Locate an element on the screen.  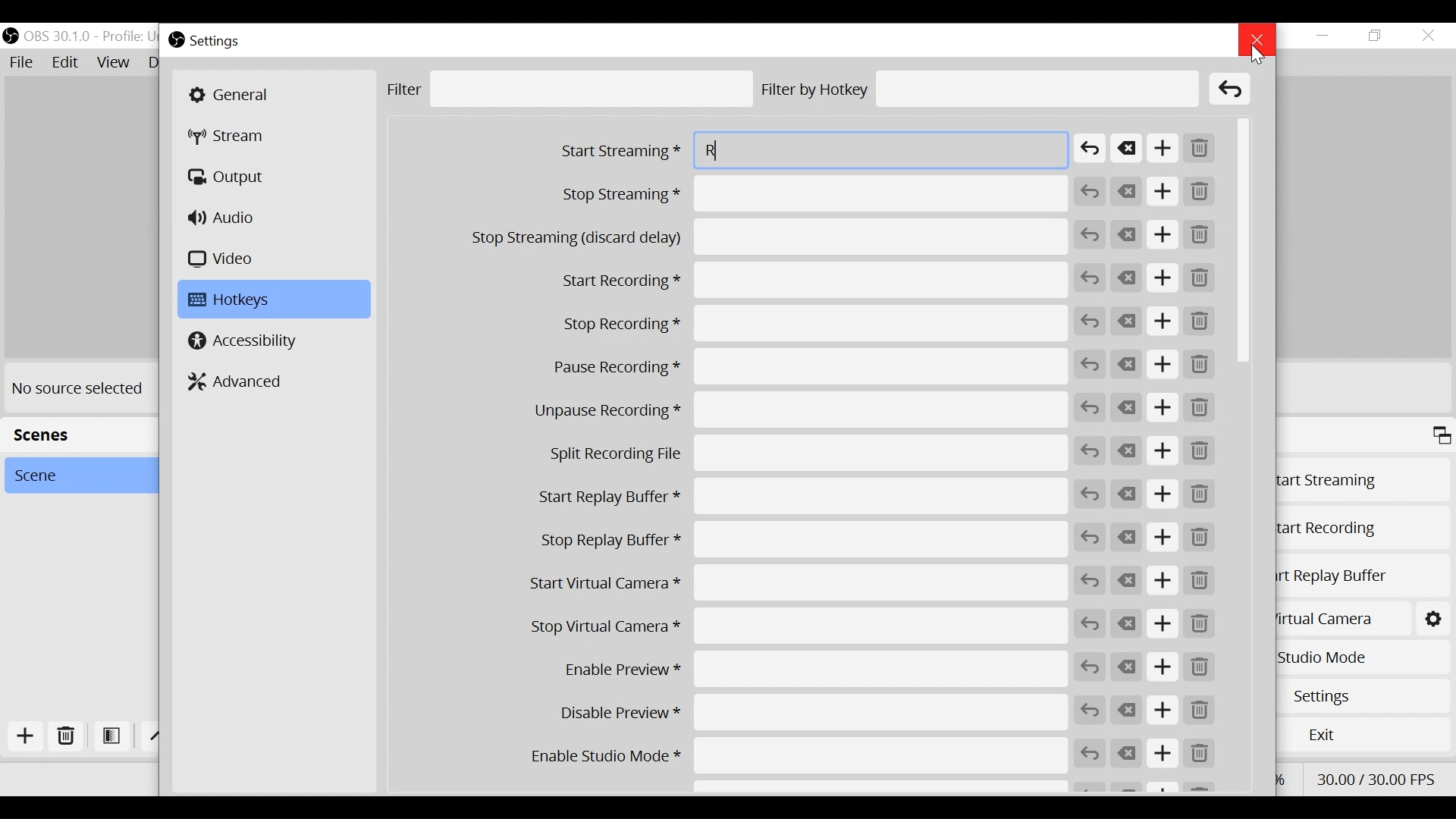
Vertical Scroll bar is located at coordinates (1241, 240).